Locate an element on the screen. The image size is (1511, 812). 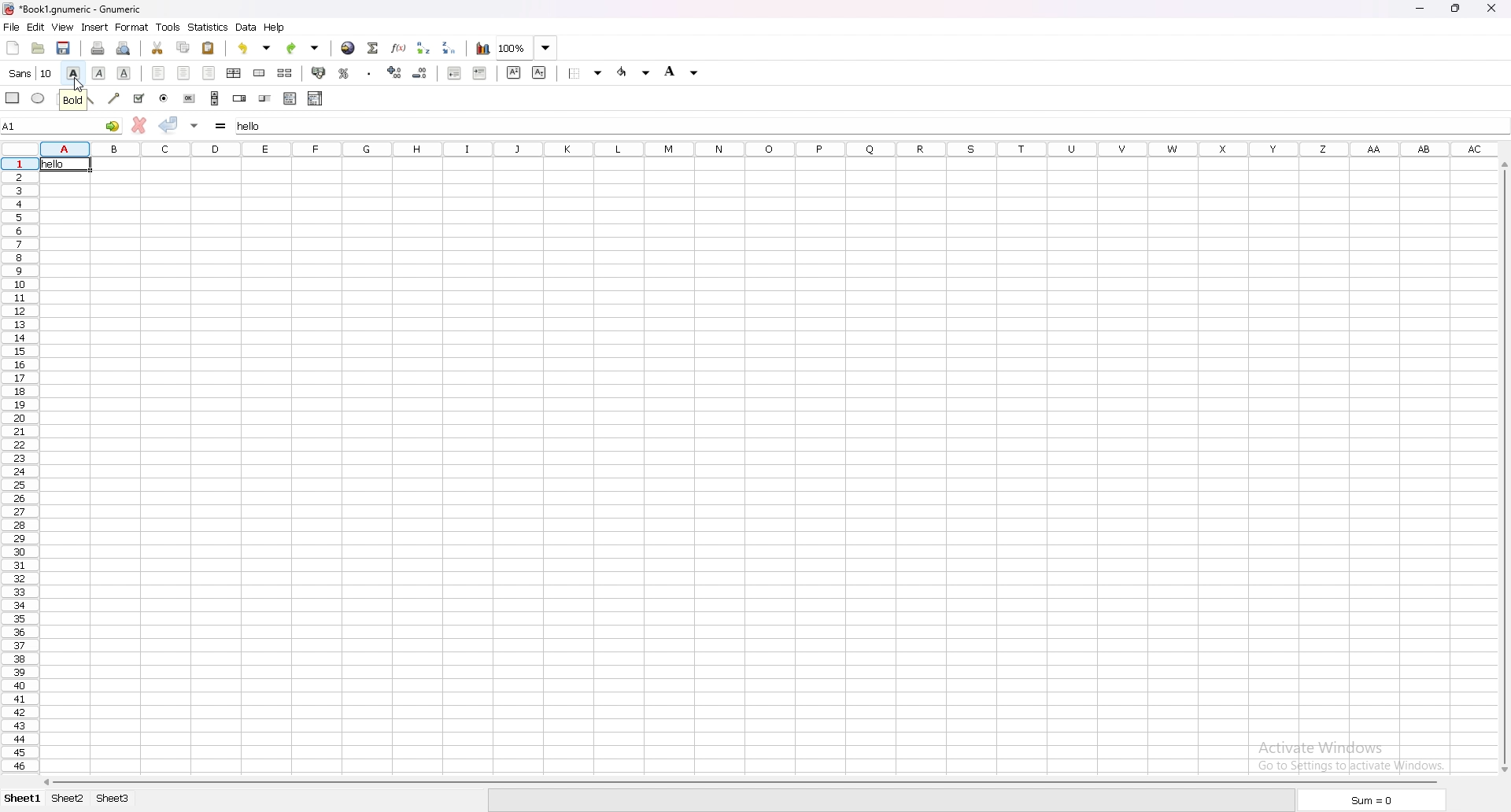
new is located at coordinates (13, 46).